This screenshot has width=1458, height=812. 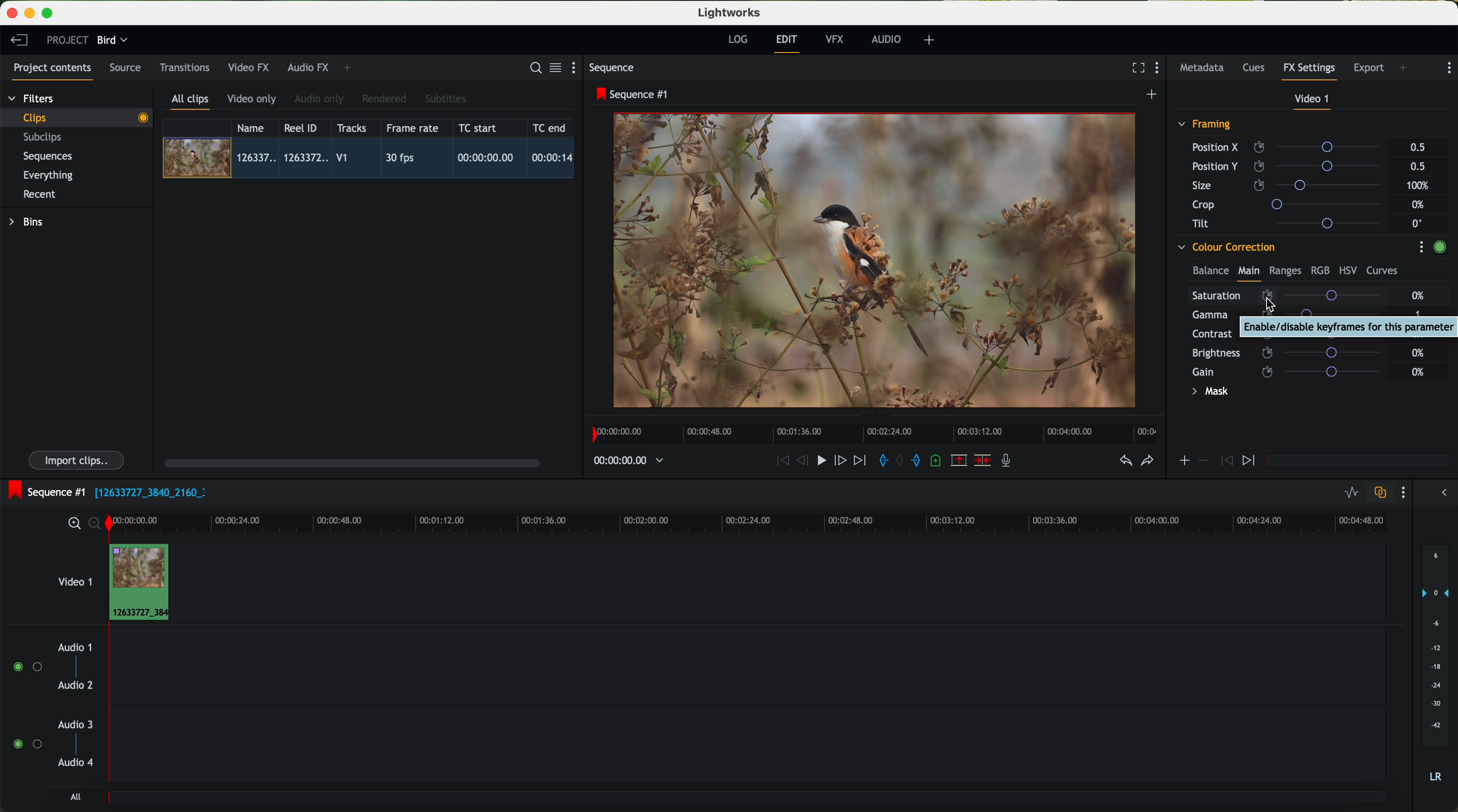 What do you see at coordinates (1319, 269) in the screenshot?
I see `RGB` at bounding box center [1319, 269].